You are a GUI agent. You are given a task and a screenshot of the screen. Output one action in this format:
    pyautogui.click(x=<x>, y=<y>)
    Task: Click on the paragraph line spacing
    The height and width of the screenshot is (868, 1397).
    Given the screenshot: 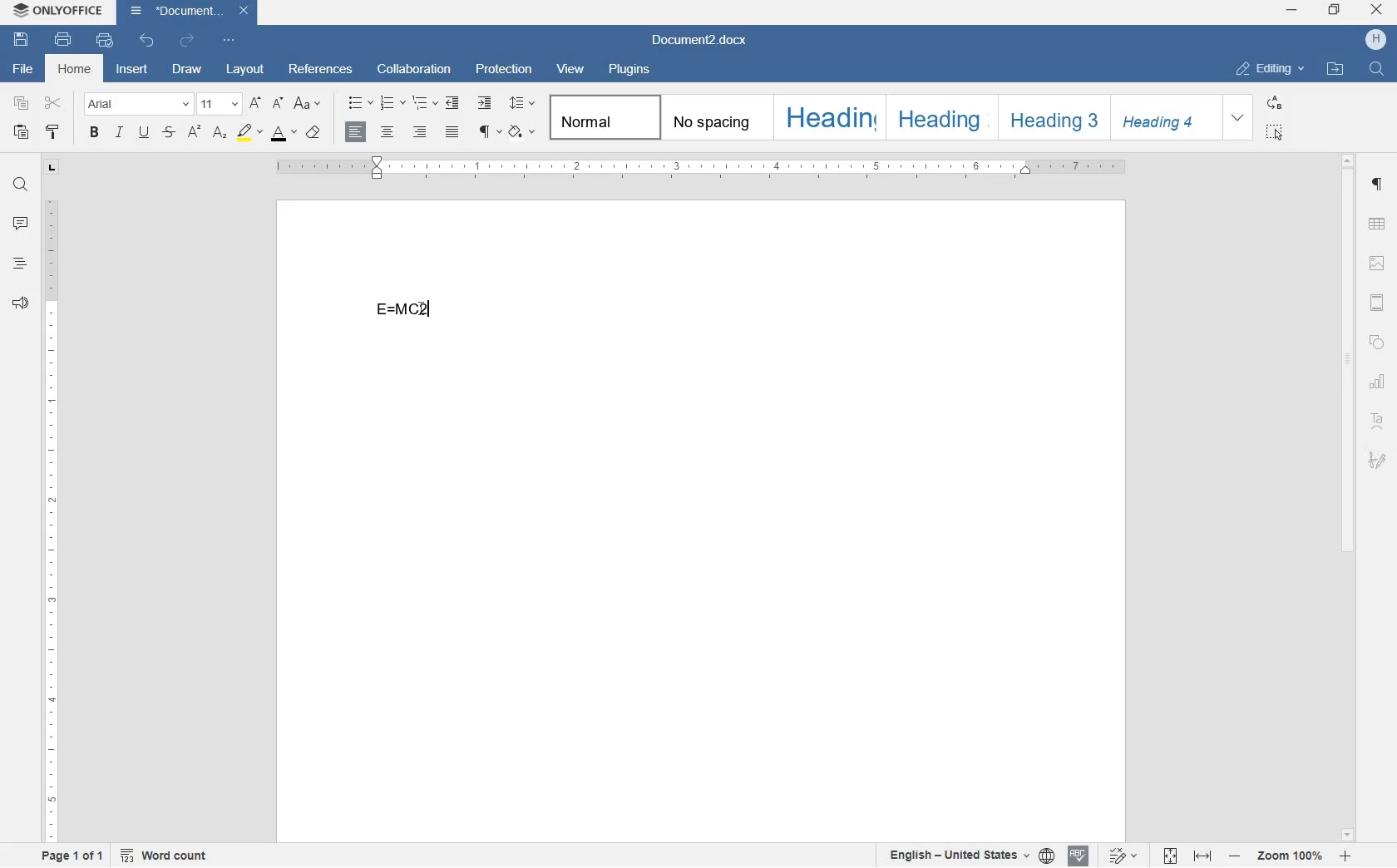 What is the action you would take?
    pyautogui.click(x=521, y=103)
    